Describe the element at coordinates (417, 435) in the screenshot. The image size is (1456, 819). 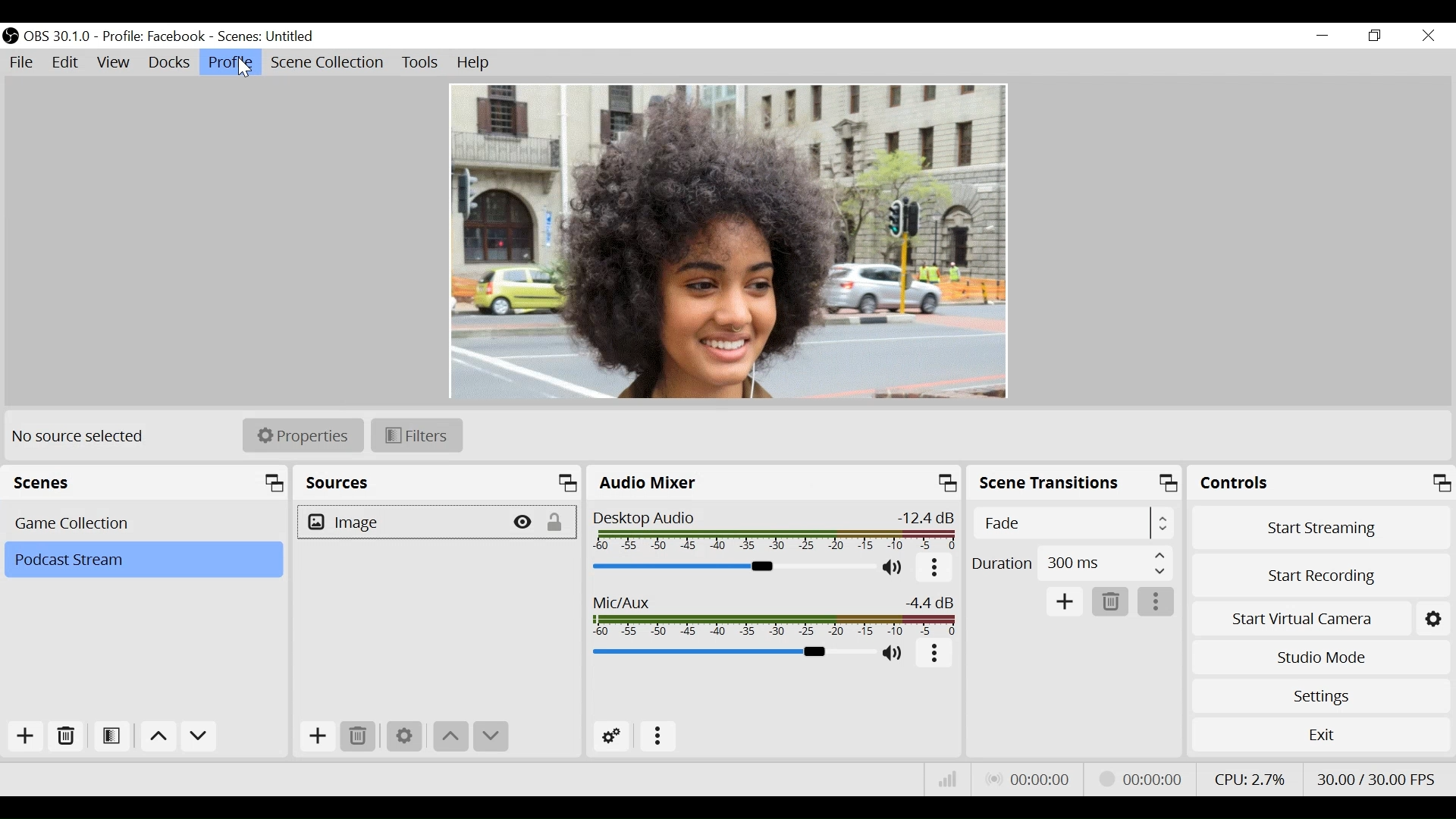
I see `Filters` at that location.